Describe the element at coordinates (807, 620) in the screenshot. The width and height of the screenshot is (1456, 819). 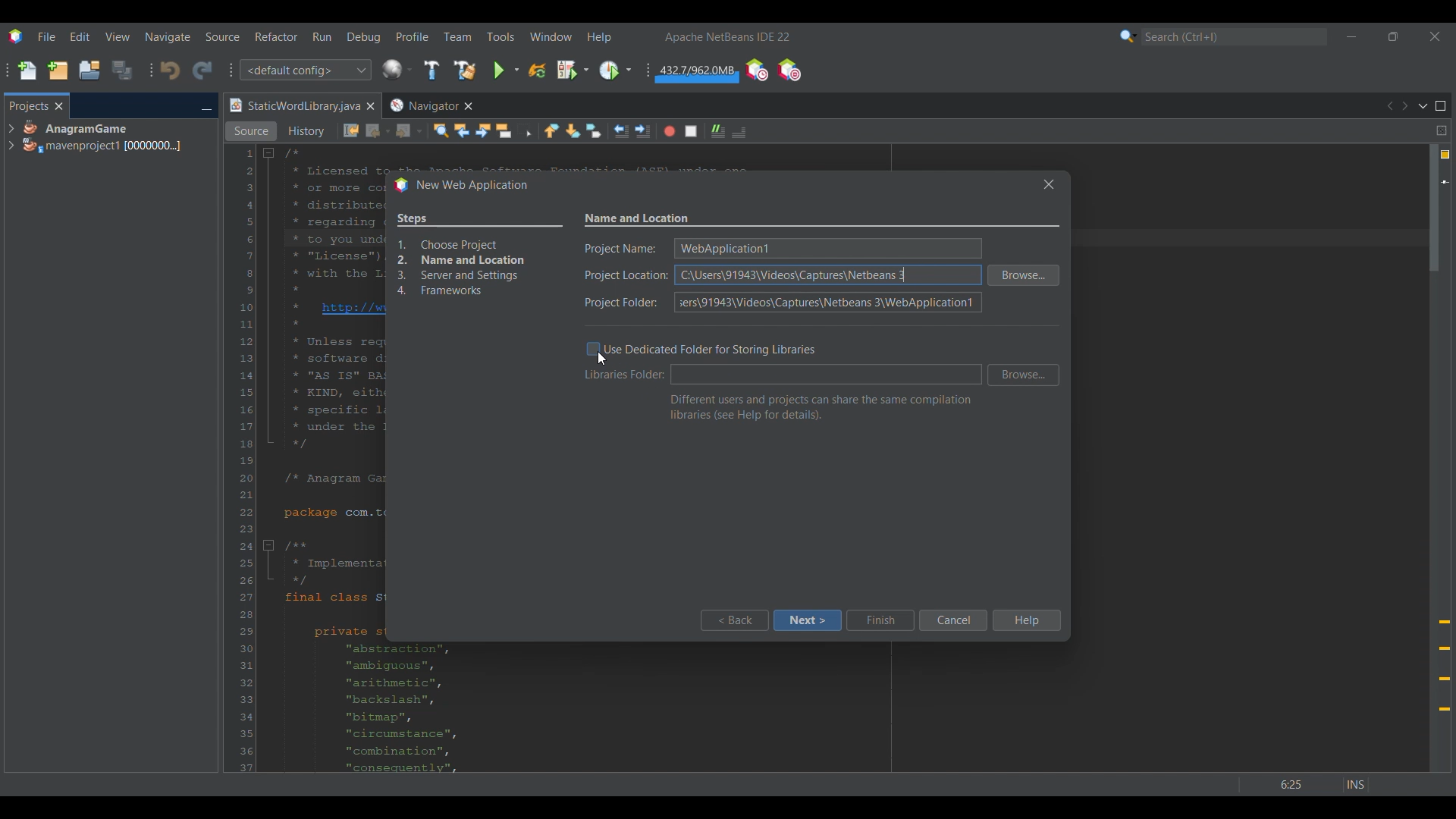
I see `Next highlighted by cursor` at that location.